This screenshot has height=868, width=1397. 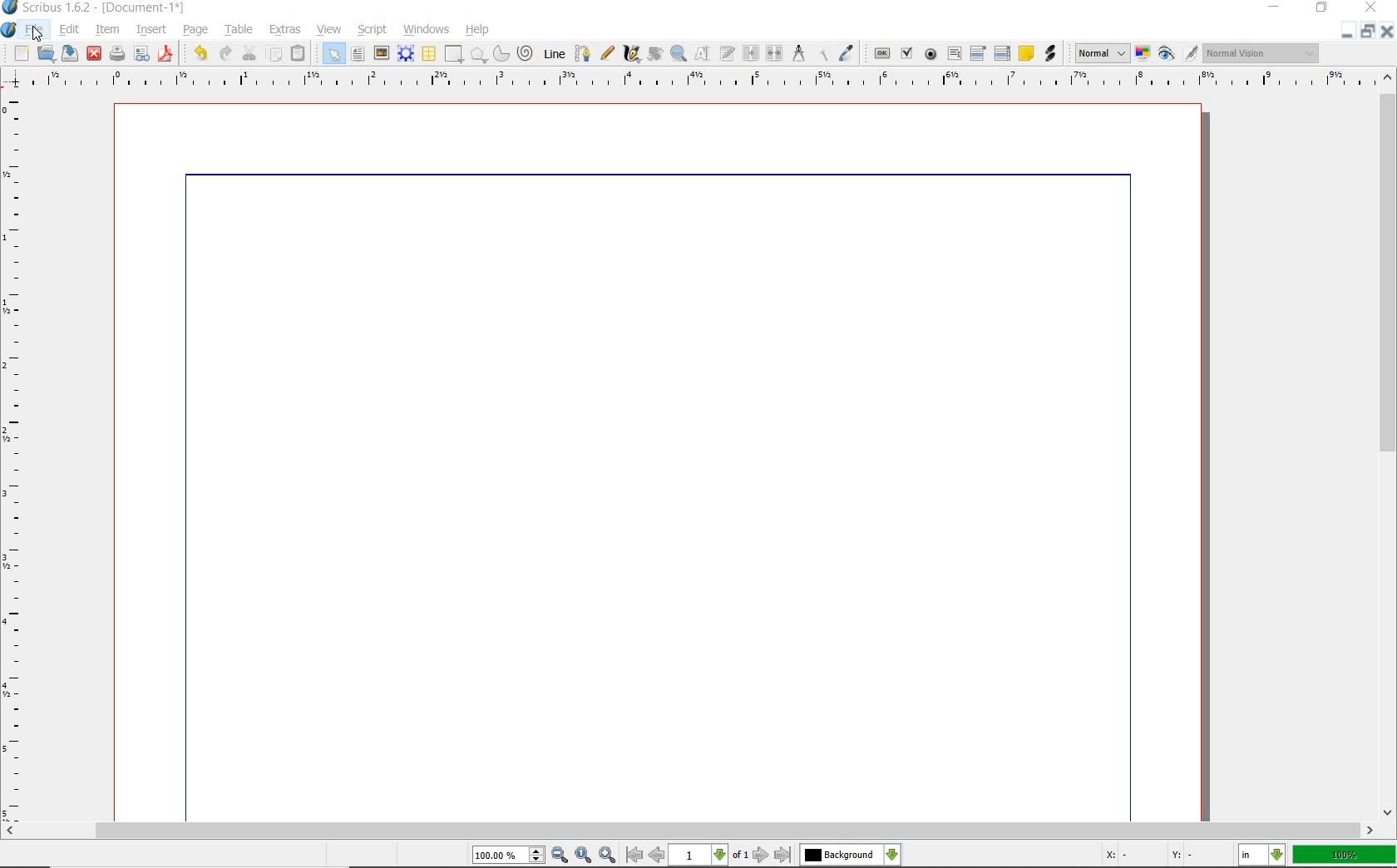 I want to click on copy item properties, so click(x=821, y=54).